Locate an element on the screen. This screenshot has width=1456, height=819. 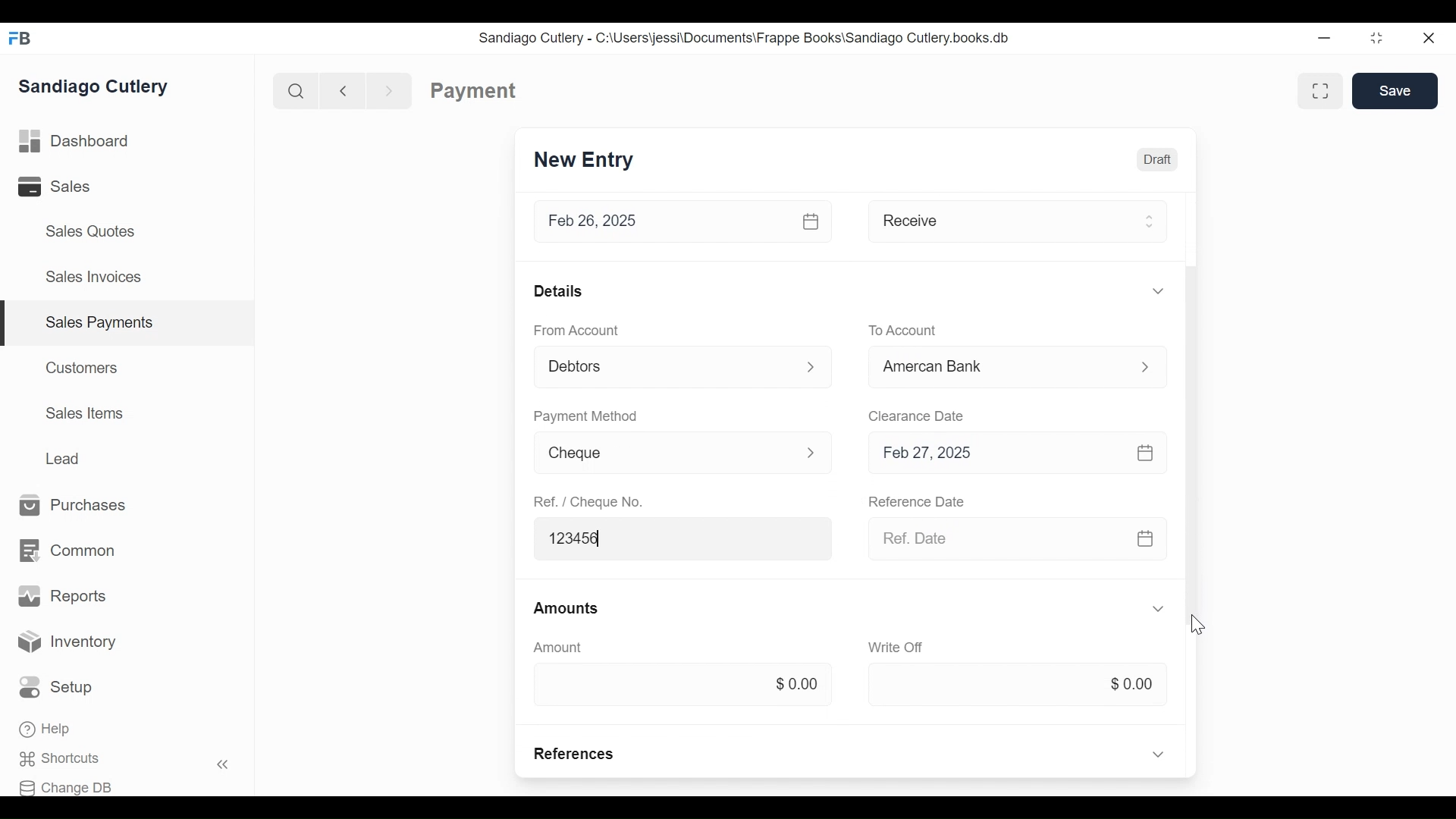
From Account is located at coordinates (575, 329).